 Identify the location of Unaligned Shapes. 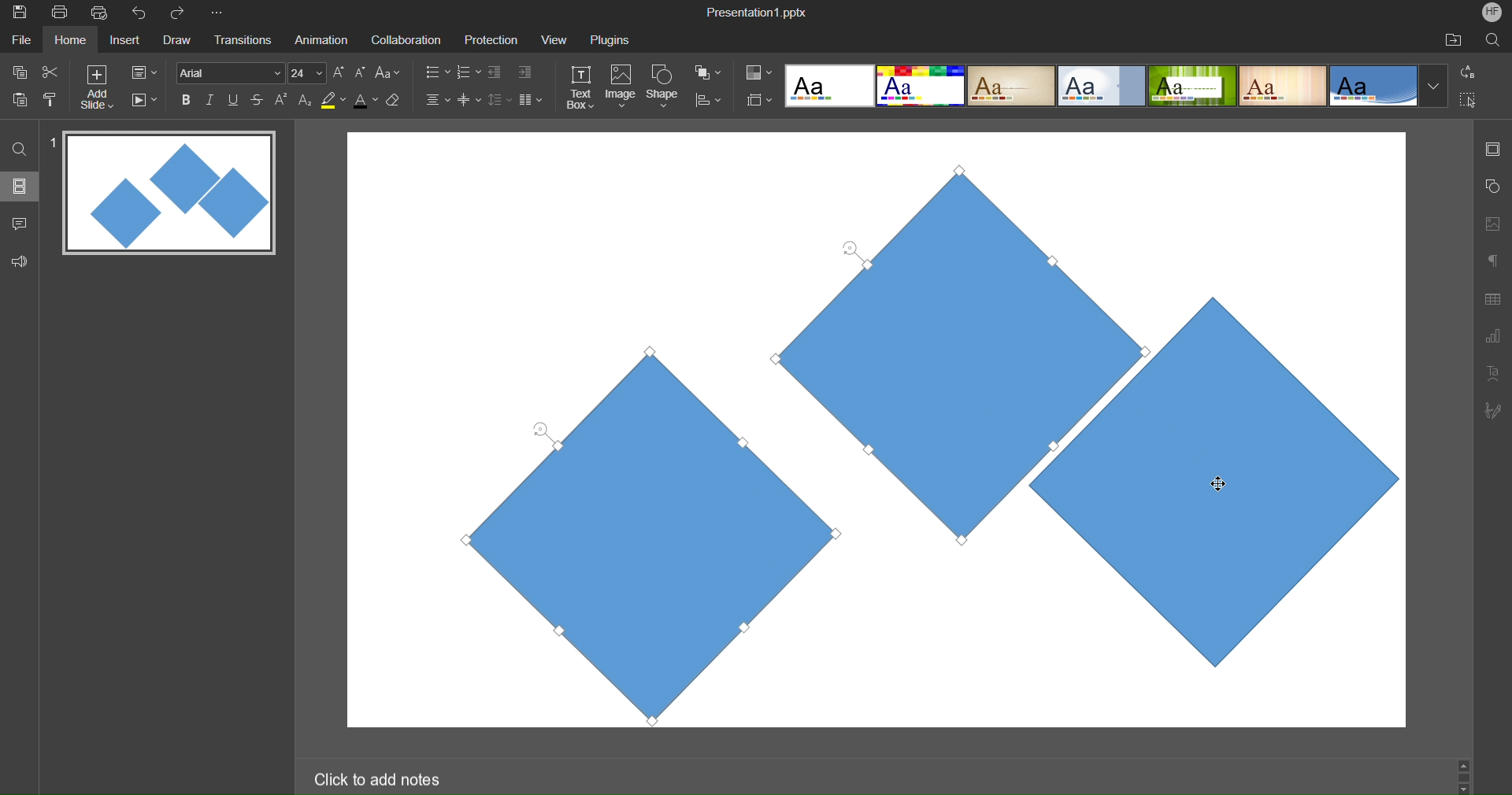
(1268, 429).